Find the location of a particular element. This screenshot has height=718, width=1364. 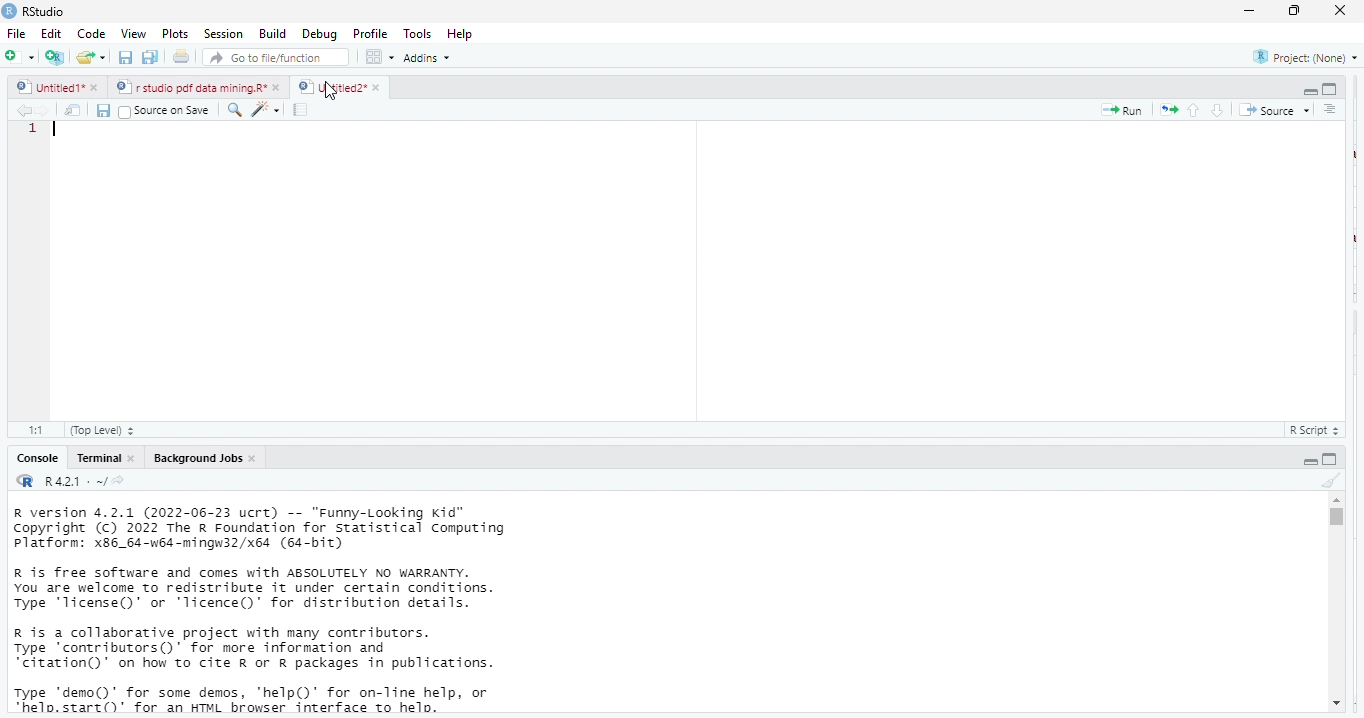

code tools is located at coordinates (265, 108).